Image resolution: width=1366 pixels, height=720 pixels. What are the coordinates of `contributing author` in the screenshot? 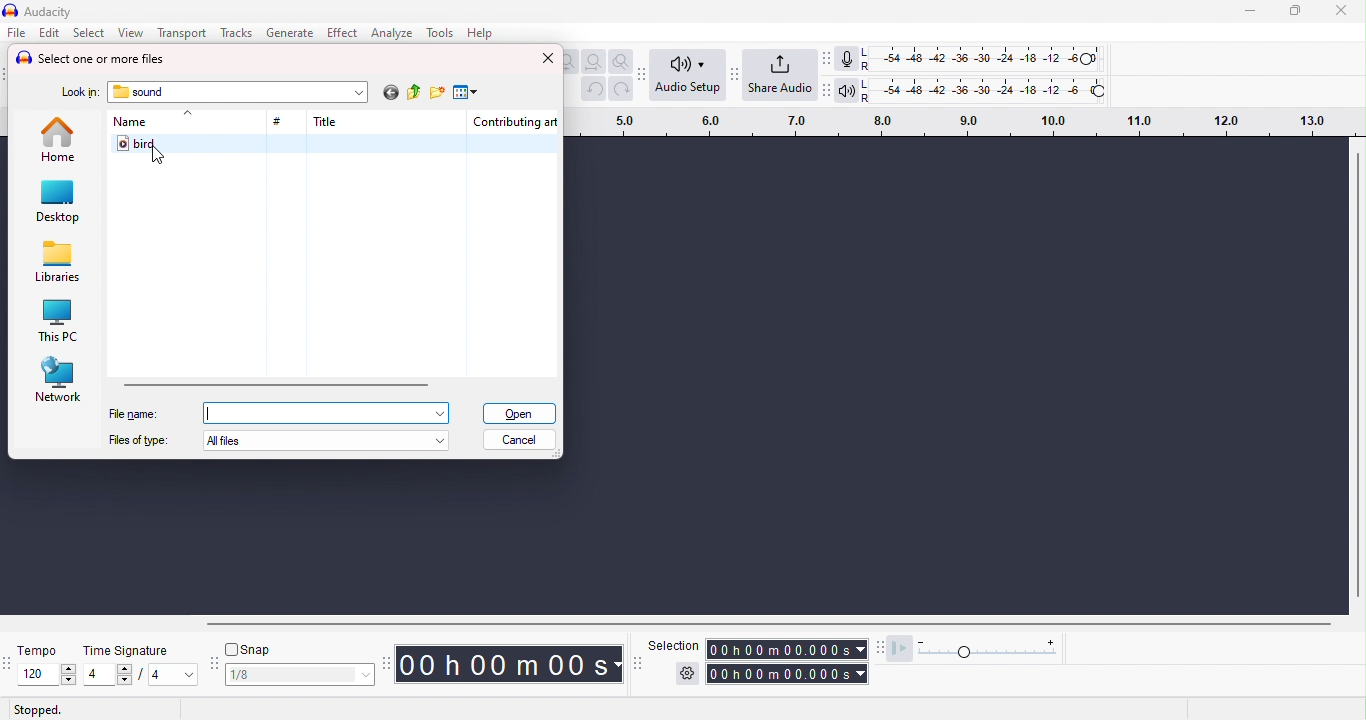 It's located at (514, 121).